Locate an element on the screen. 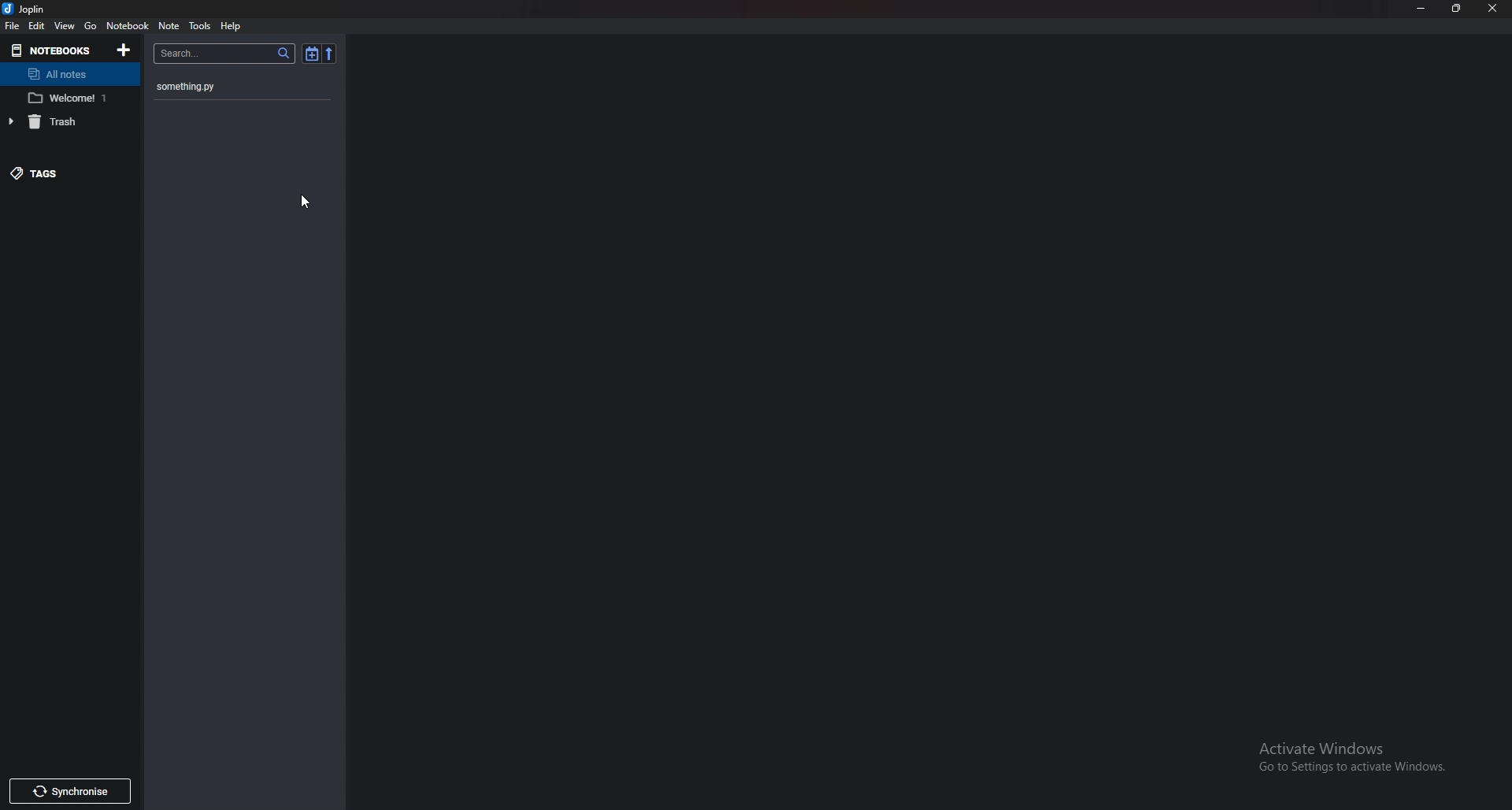 Image resolution: width=1512 pixels, height=810 pixels. Add notebooks is located at coordinates (125, 50).